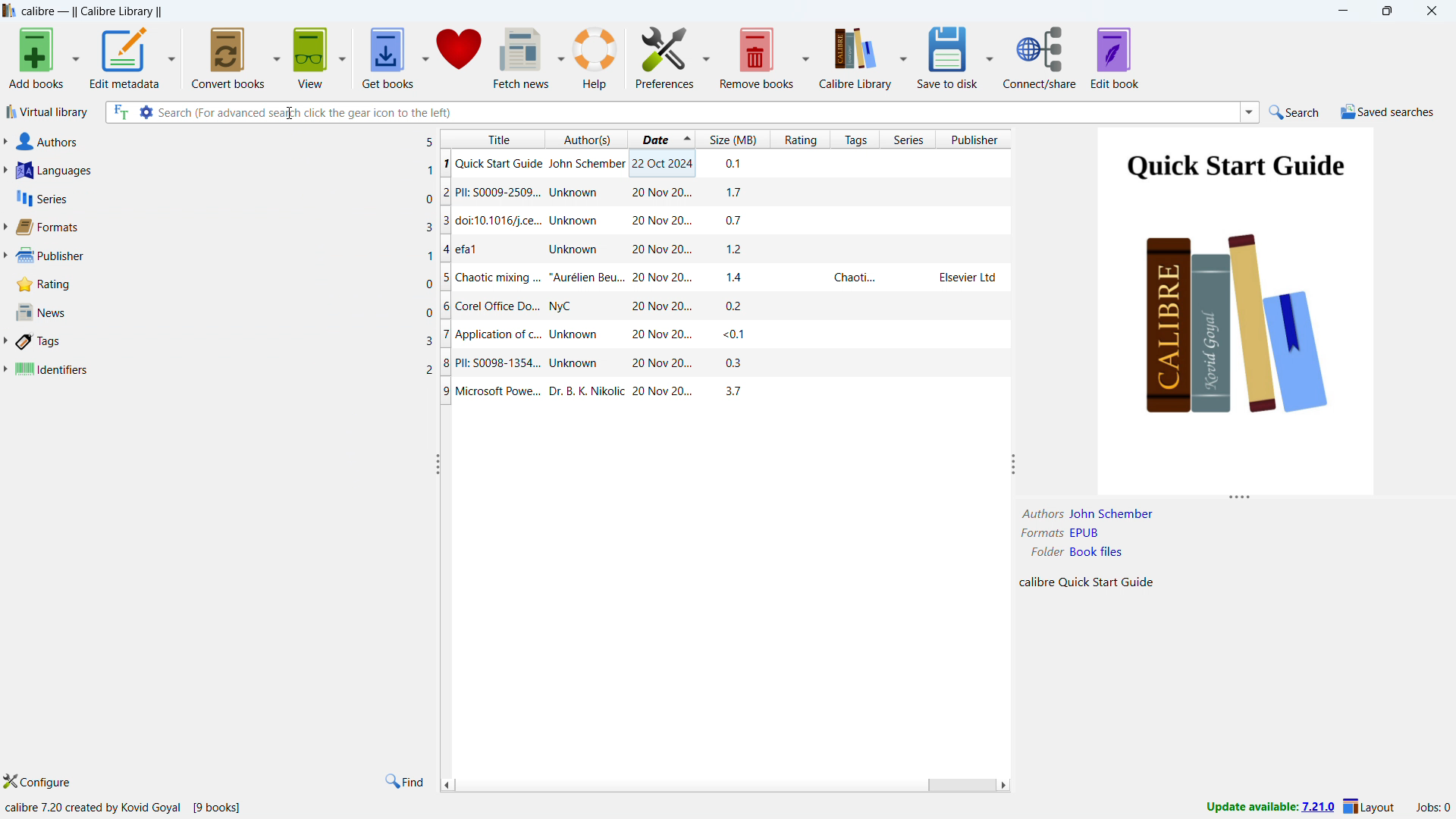  I want to click on edit metadata options, so click(171, 56).